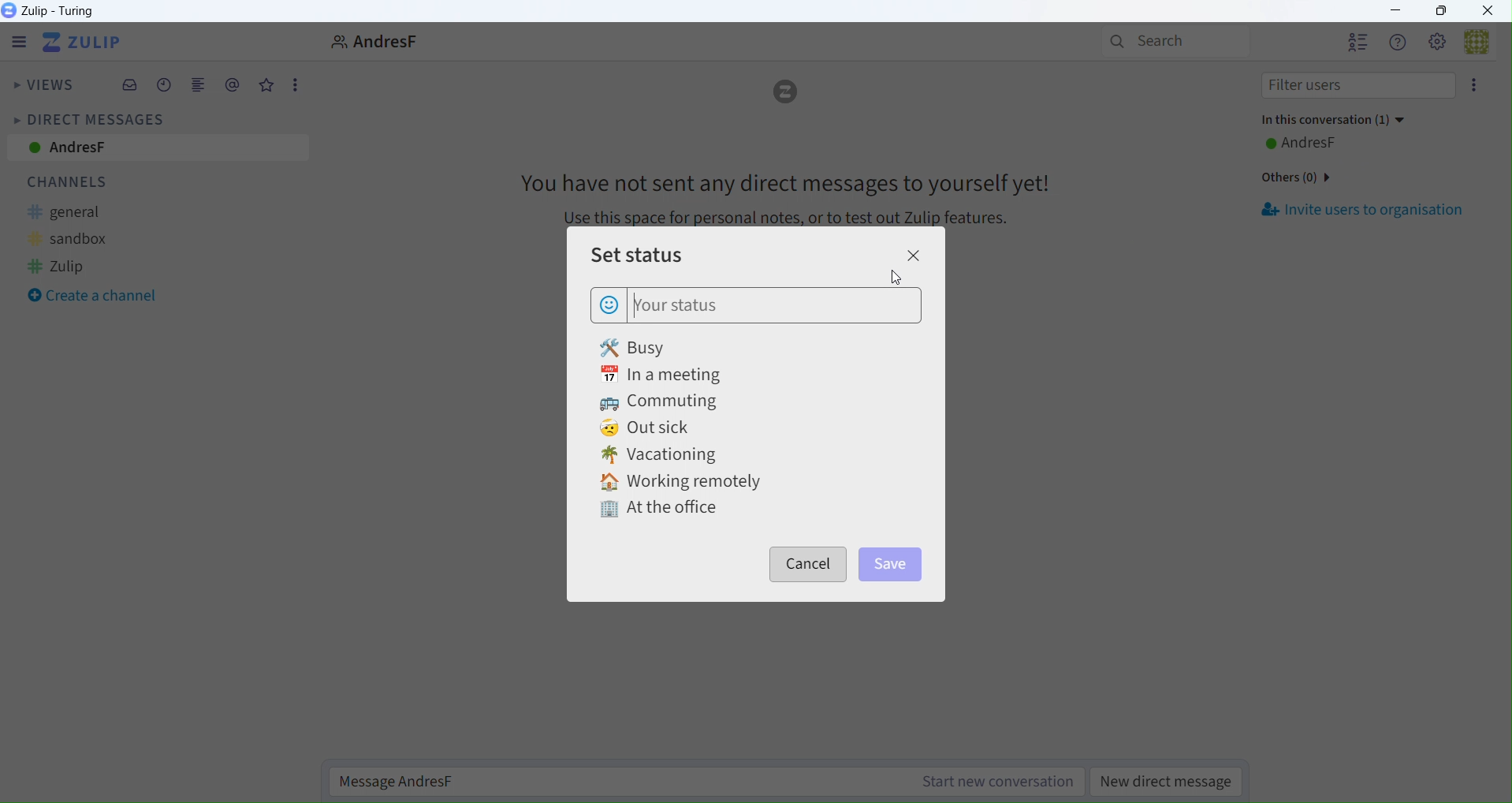  I want to click on general, so click(76, 213).